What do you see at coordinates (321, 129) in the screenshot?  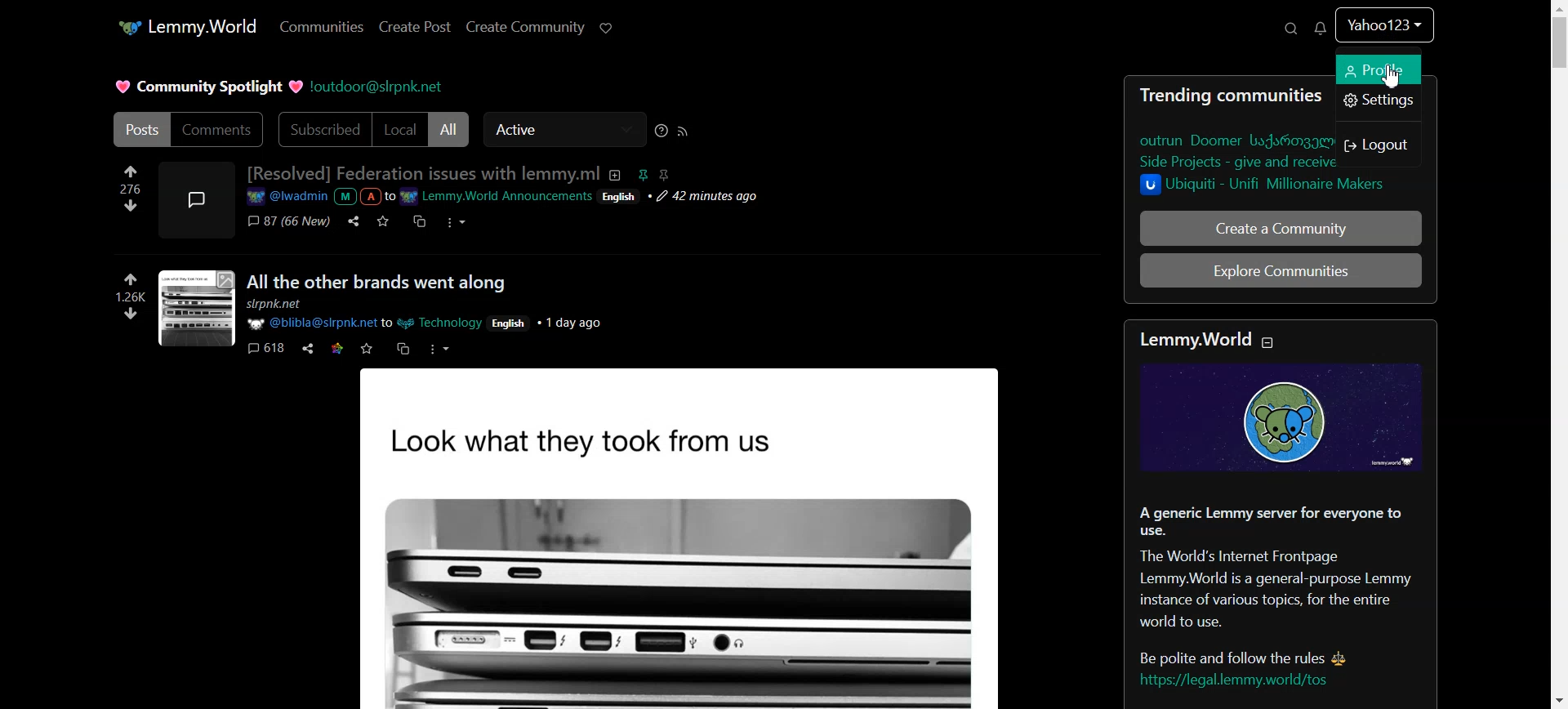 I see `Subscribed` at bounding box center [321, 129].